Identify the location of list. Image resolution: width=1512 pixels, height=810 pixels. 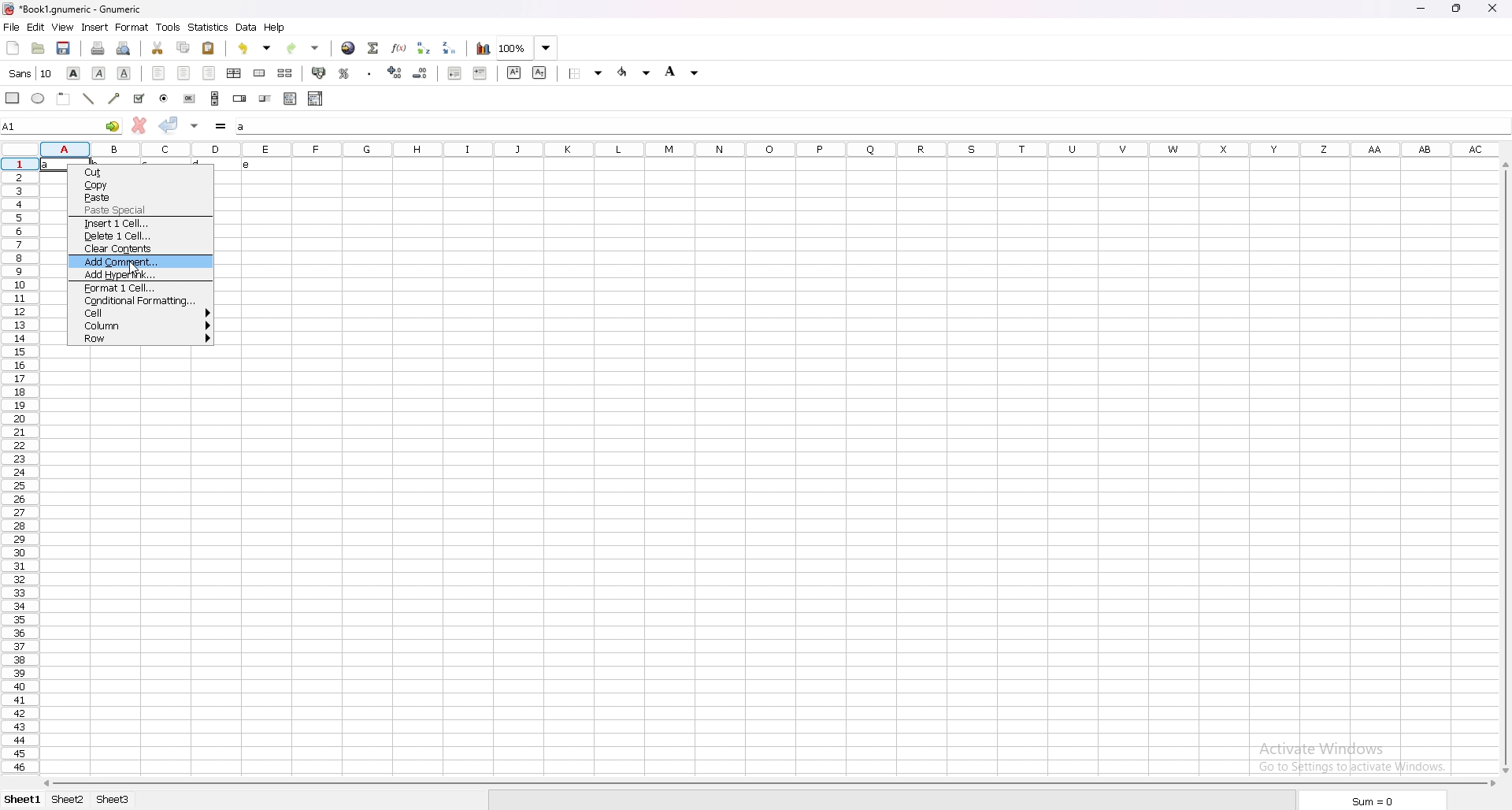
(291, 98).